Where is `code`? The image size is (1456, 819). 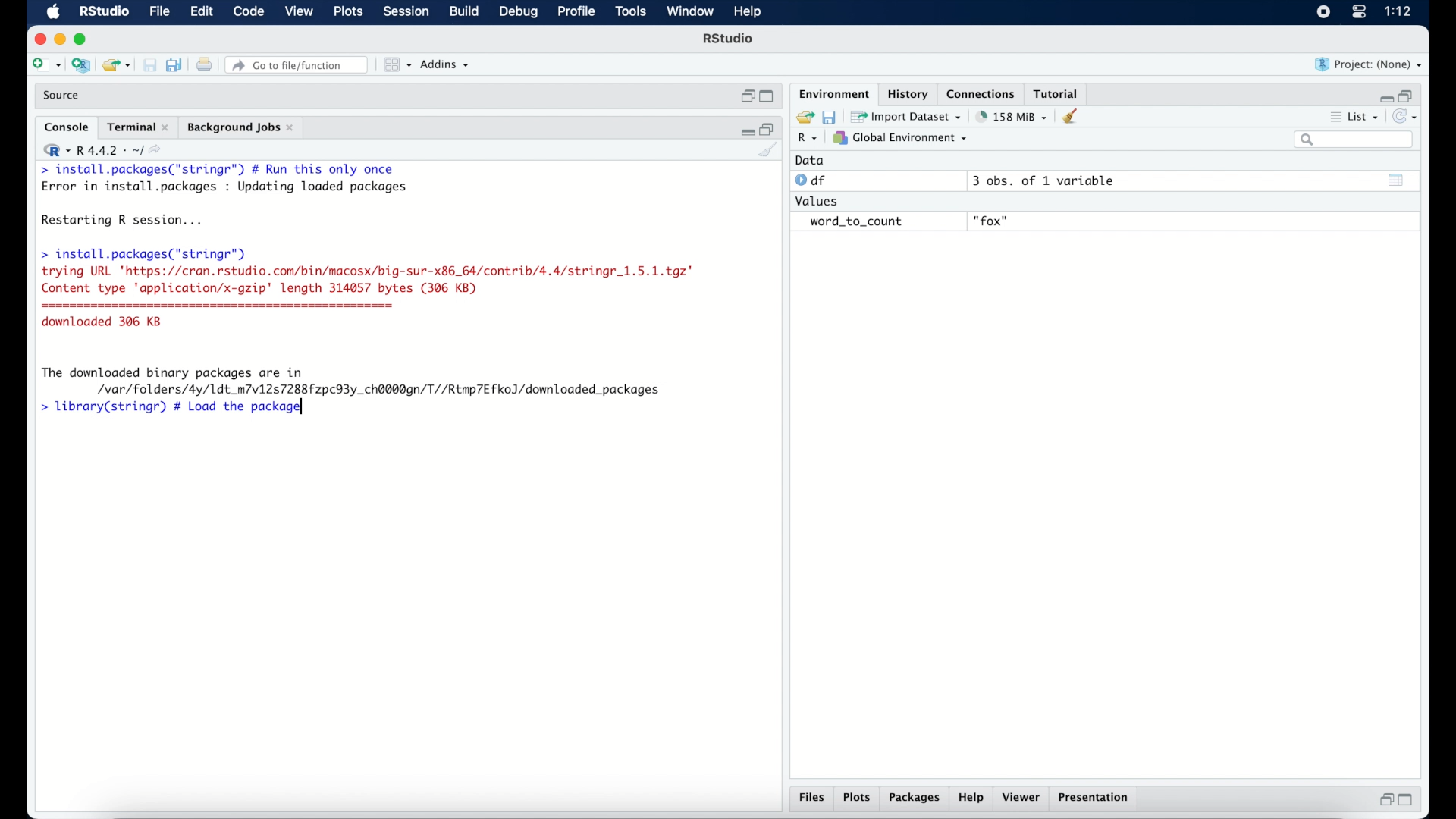 code is located at coordinates (249, 12).